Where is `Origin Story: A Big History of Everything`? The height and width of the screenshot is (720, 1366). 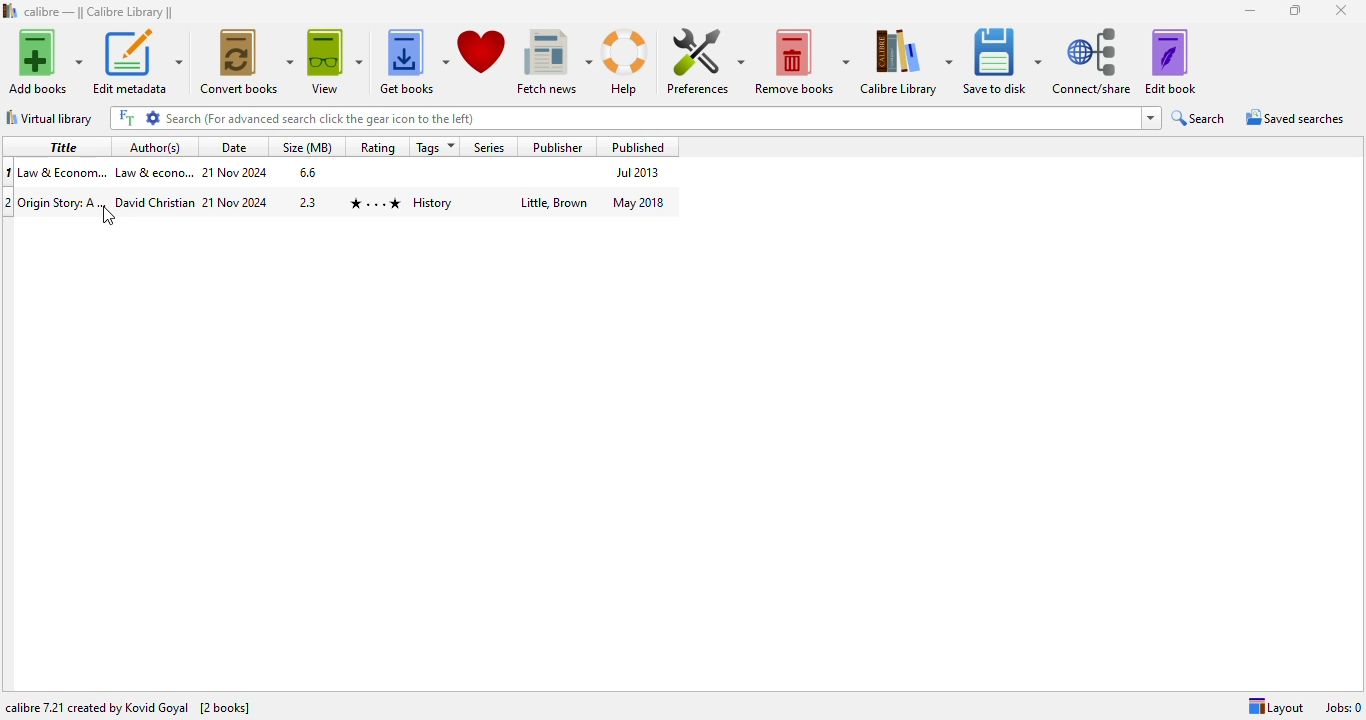
Origin Story: A Big History of Everything is located at coordinates (62, 205).